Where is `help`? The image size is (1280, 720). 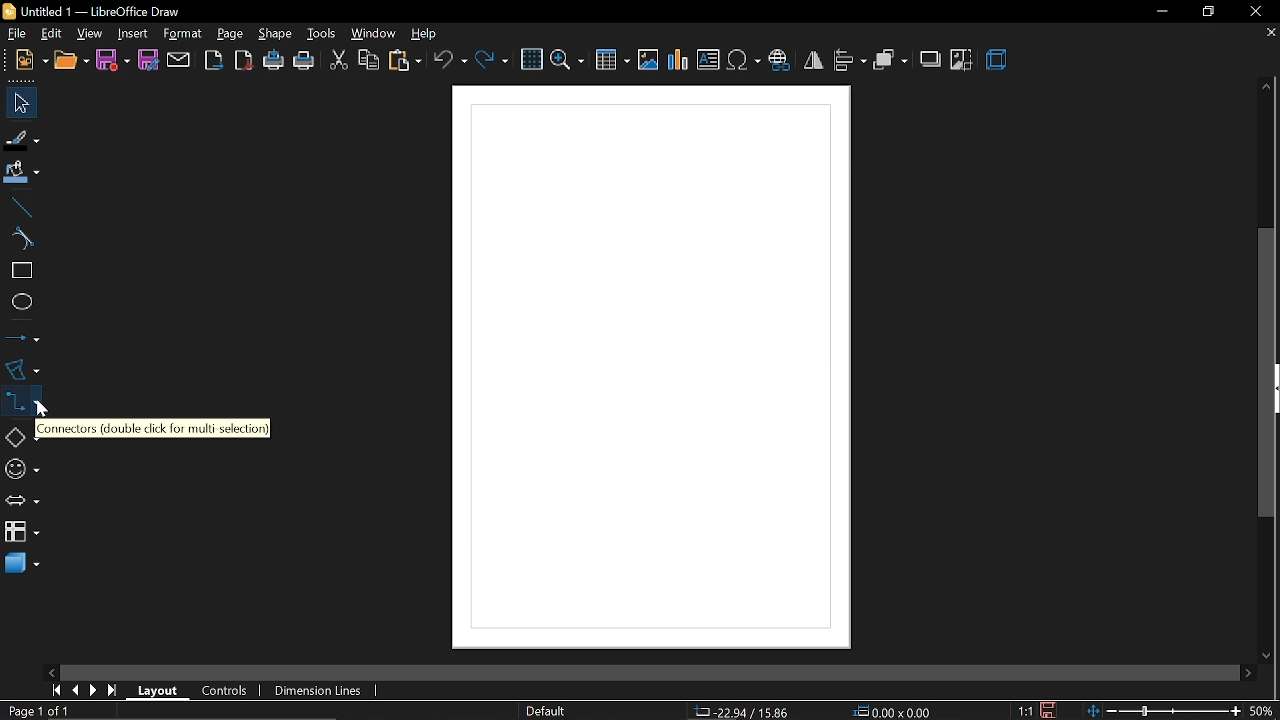 help is located at coordinates (424, 33).